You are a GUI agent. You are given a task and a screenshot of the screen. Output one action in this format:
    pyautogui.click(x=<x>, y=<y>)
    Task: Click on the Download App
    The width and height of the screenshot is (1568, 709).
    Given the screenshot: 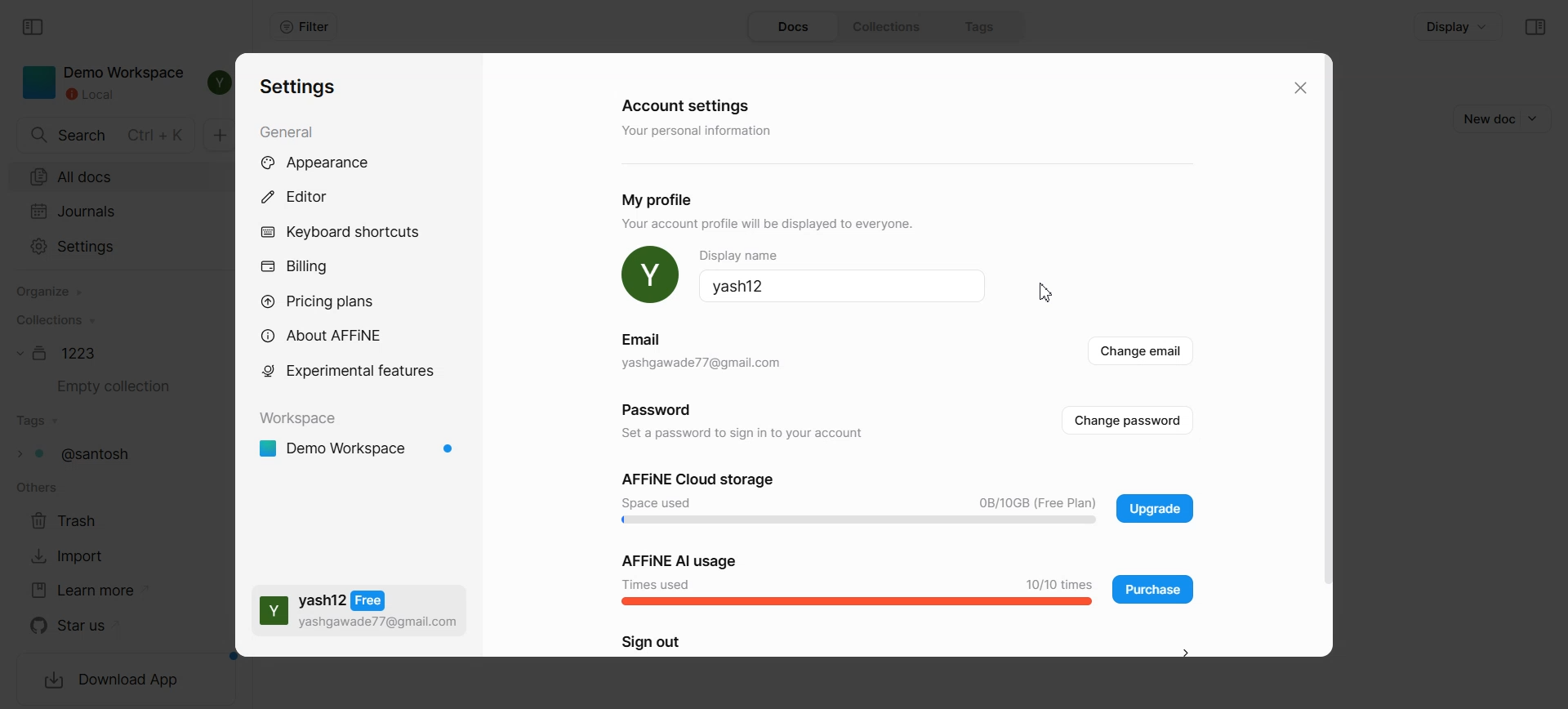 What is the action you would take?
    pyautogui.click(x=113, y=681)
    